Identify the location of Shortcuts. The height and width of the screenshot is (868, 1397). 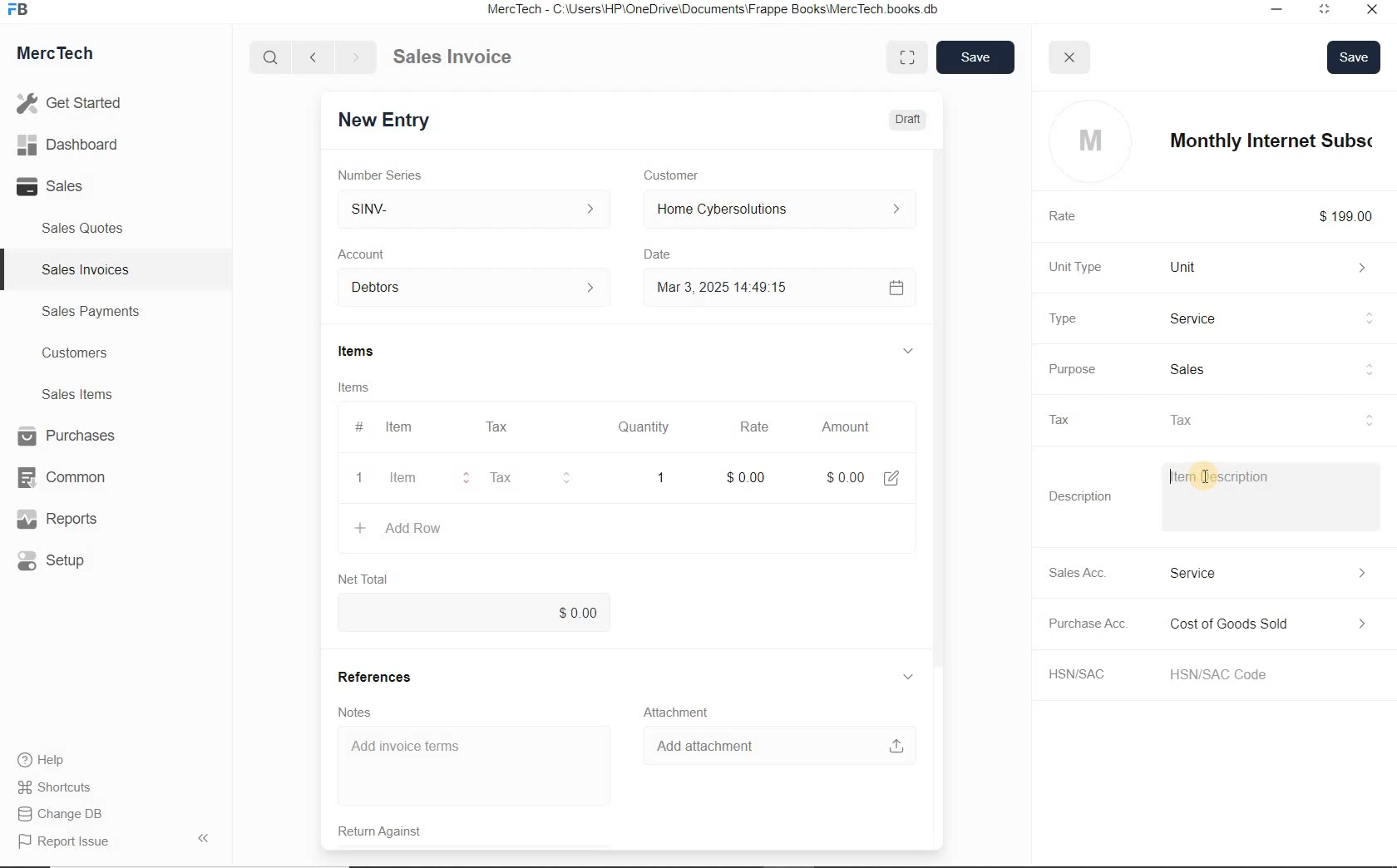
(62, 788).